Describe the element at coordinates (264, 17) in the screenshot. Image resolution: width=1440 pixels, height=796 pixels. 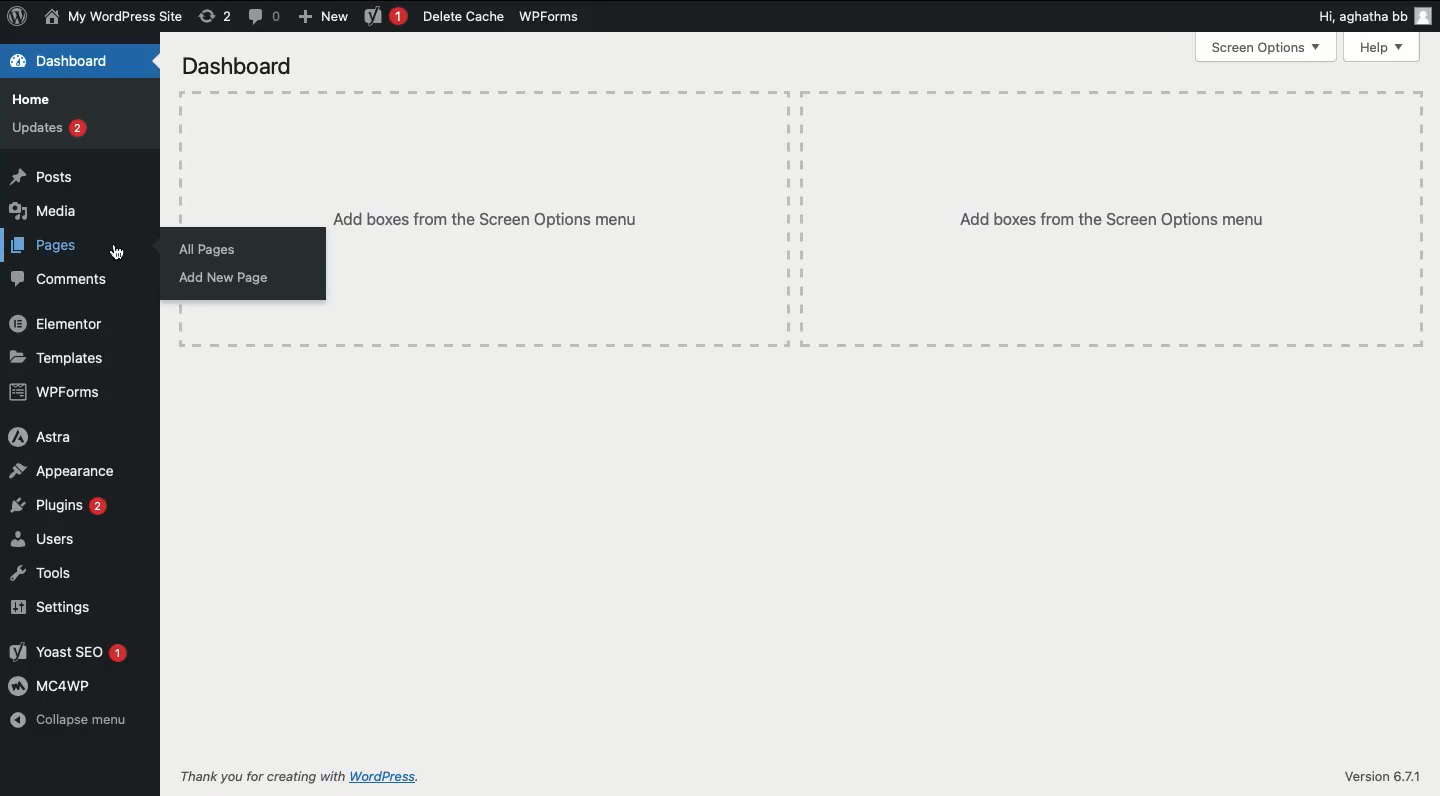
I see `Comments` at that location.